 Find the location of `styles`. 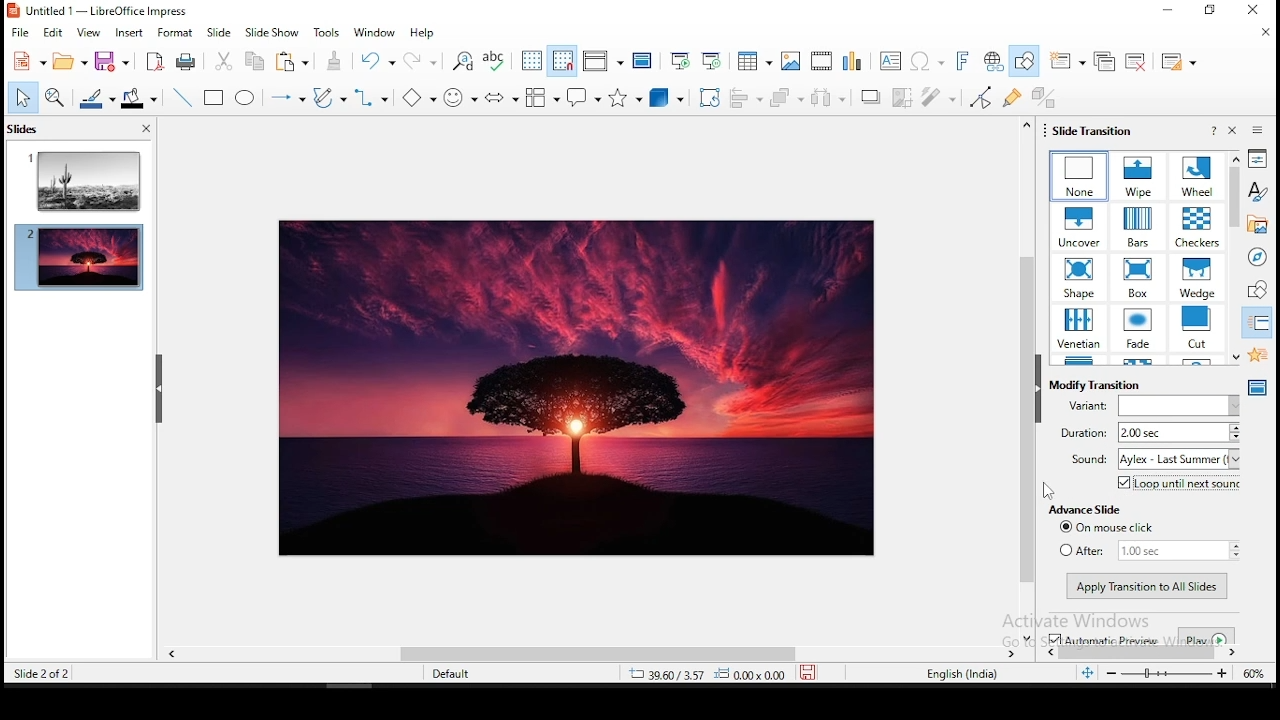

styles is located at coordinates (1258, 193).